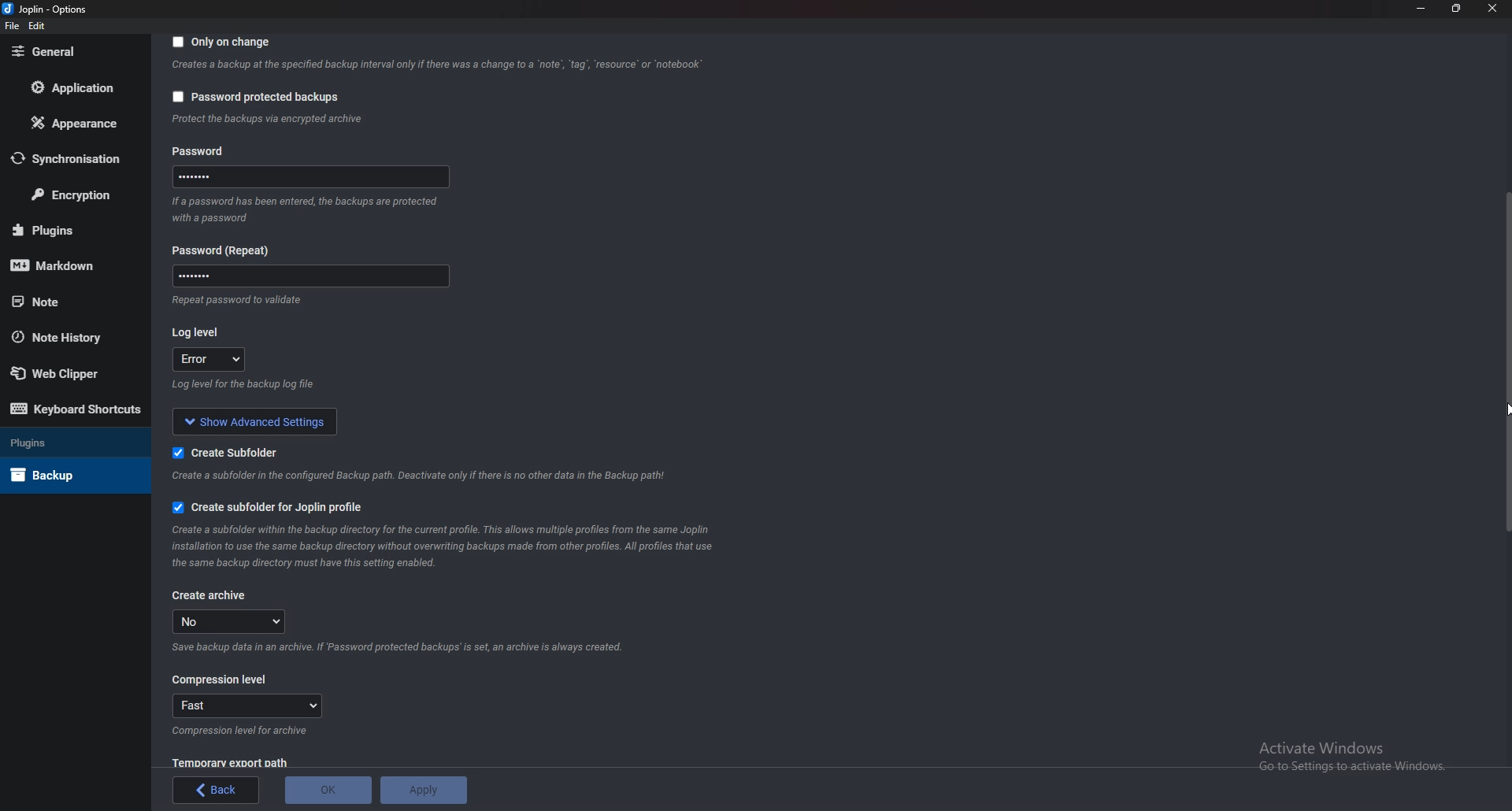 This screenshot has width=1512, height=811. Describe the element at coordinates (308, 180) in the screenshot. I see `Password` at that location.